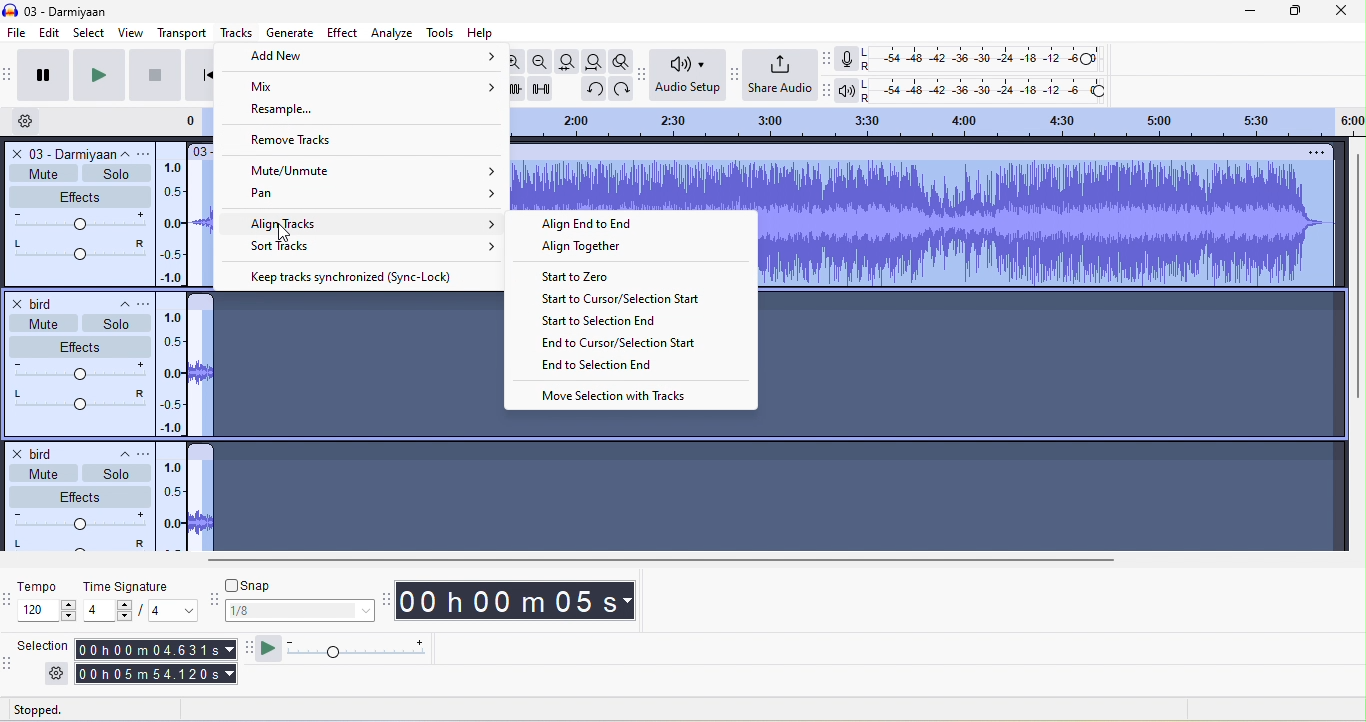 This screenshot has height=722, width=1366. What do you see at coordinates (832, 90) in the screenshot?
I see `audacity play back meter toolbar` at bounding box center [832, 90].